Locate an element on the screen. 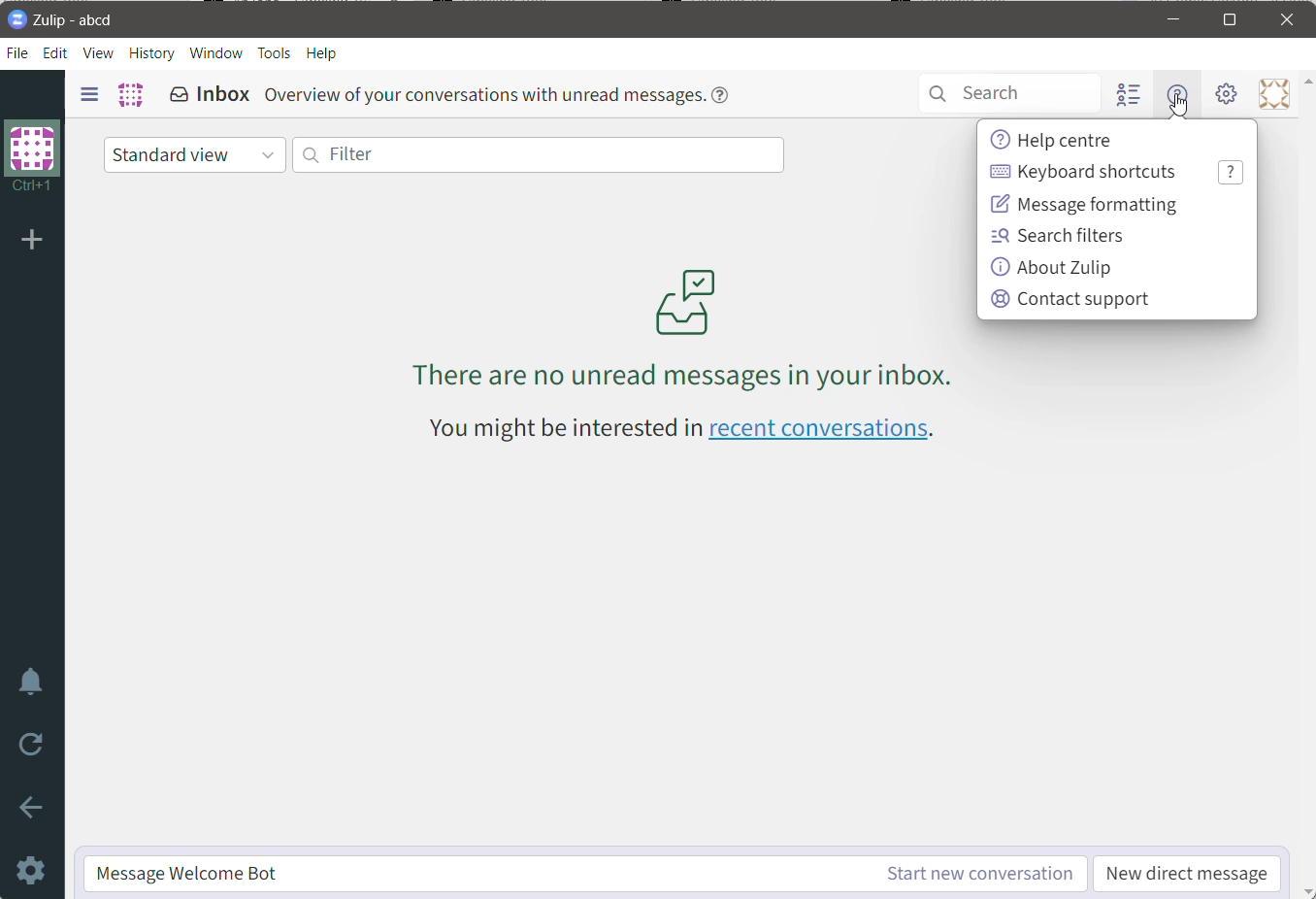 The width and height of the screenshot is (1316, 899). Enable Do Not Disturb is located at coordinates (33, 683).